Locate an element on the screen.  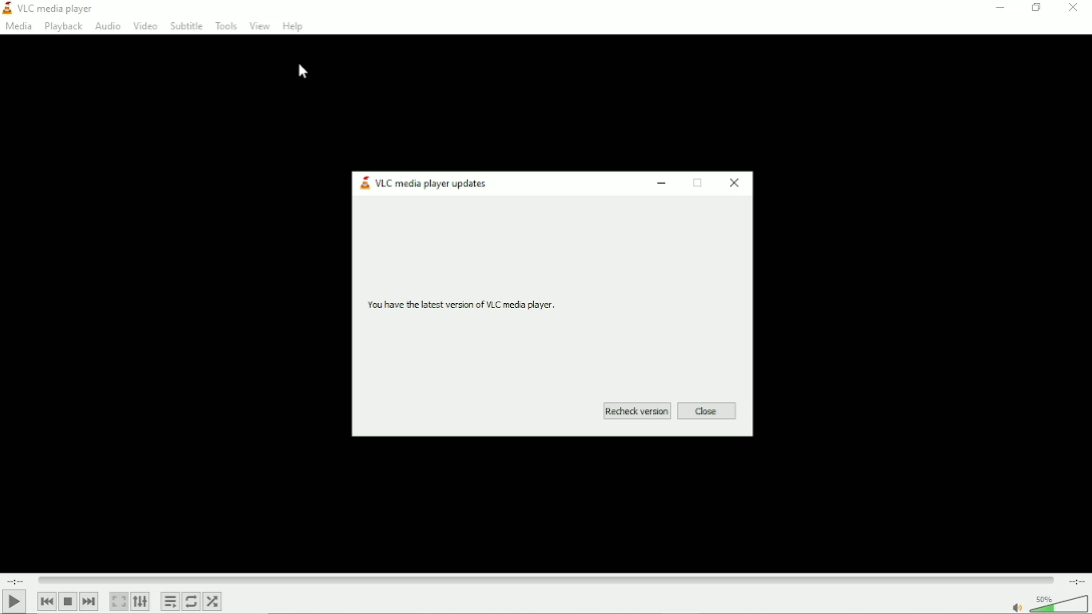
Volume is located at coordinates (1059, 604).